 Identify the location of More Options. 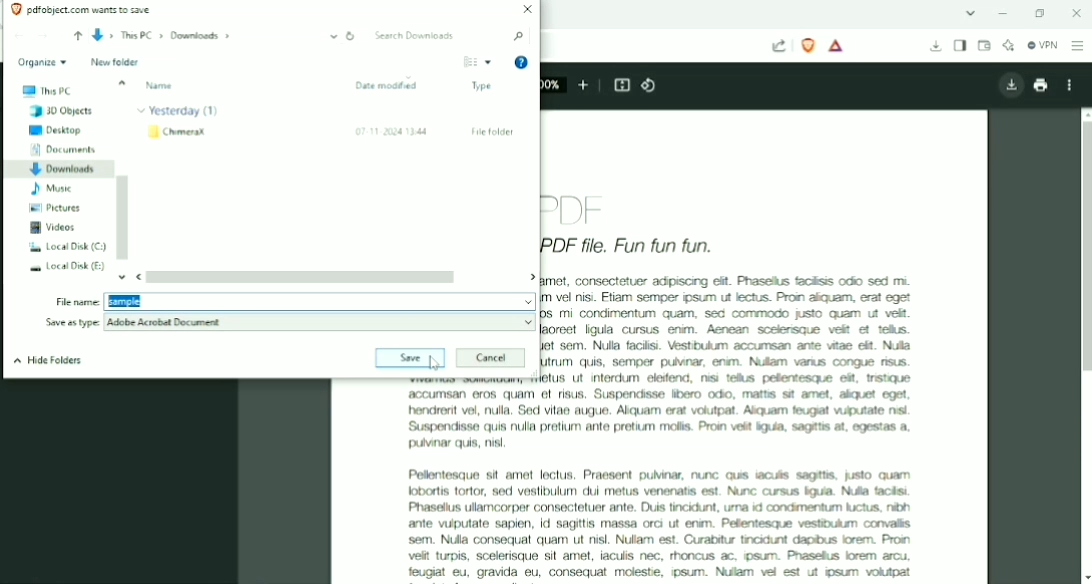
(488, 62).